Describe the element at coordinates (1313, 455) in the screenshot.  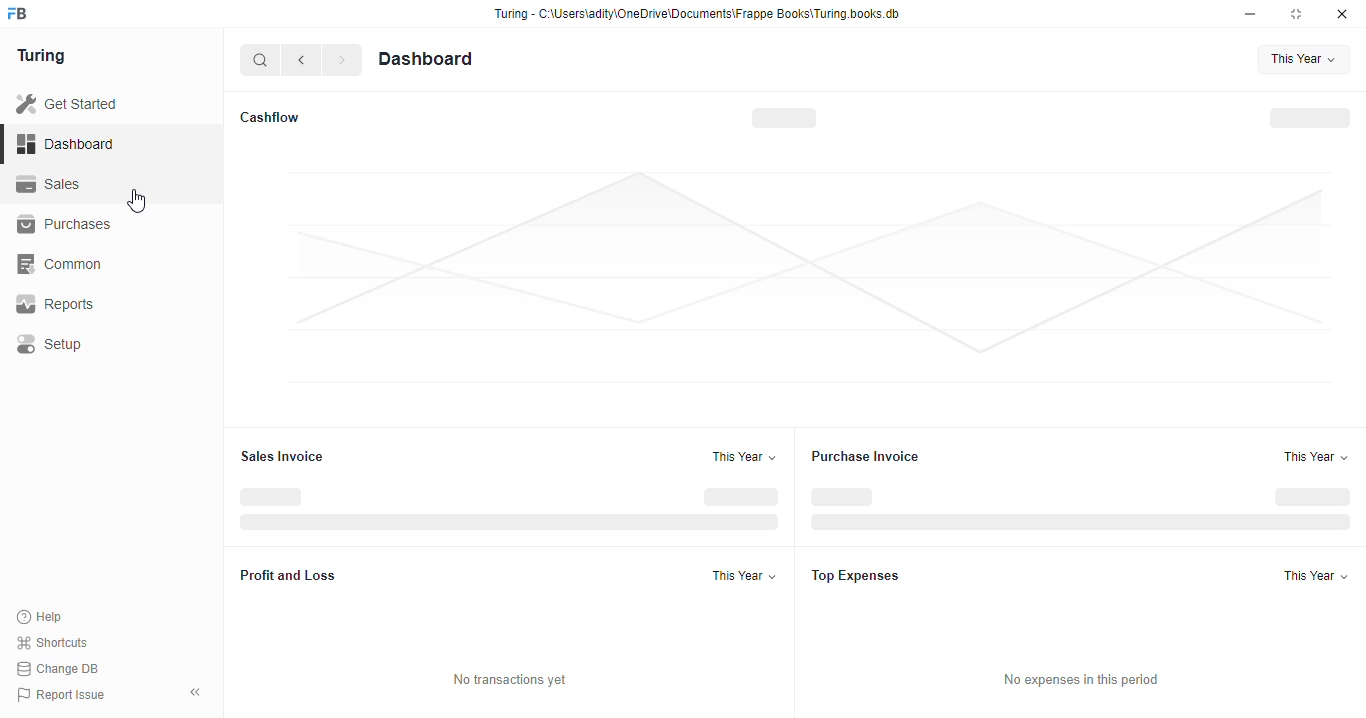
I see `This Year` at that location.